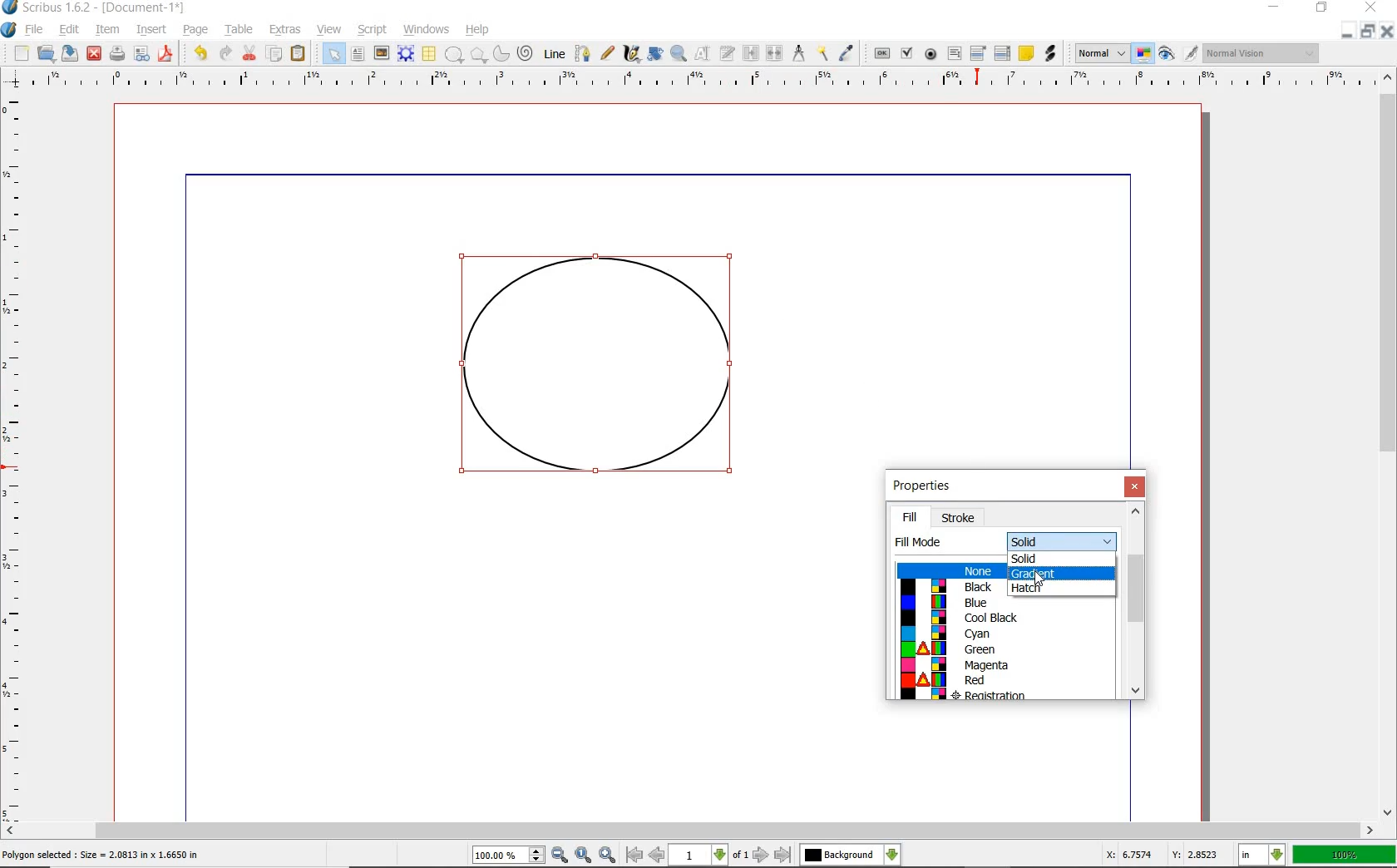  I want to click on MEASUREMENTS, so click(798, 54).